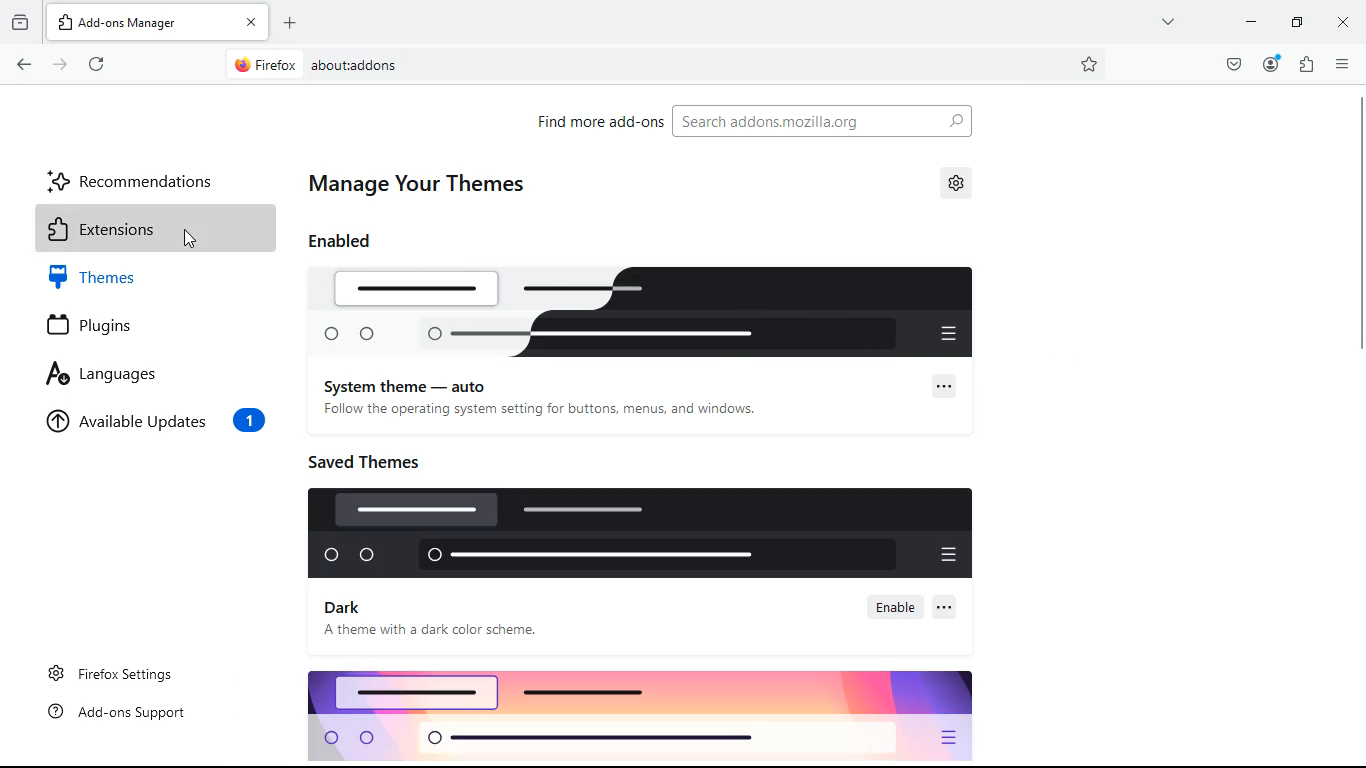  Describe the element at coordinates (1228, 65) in the screenshot. I see `pocket` at that location.